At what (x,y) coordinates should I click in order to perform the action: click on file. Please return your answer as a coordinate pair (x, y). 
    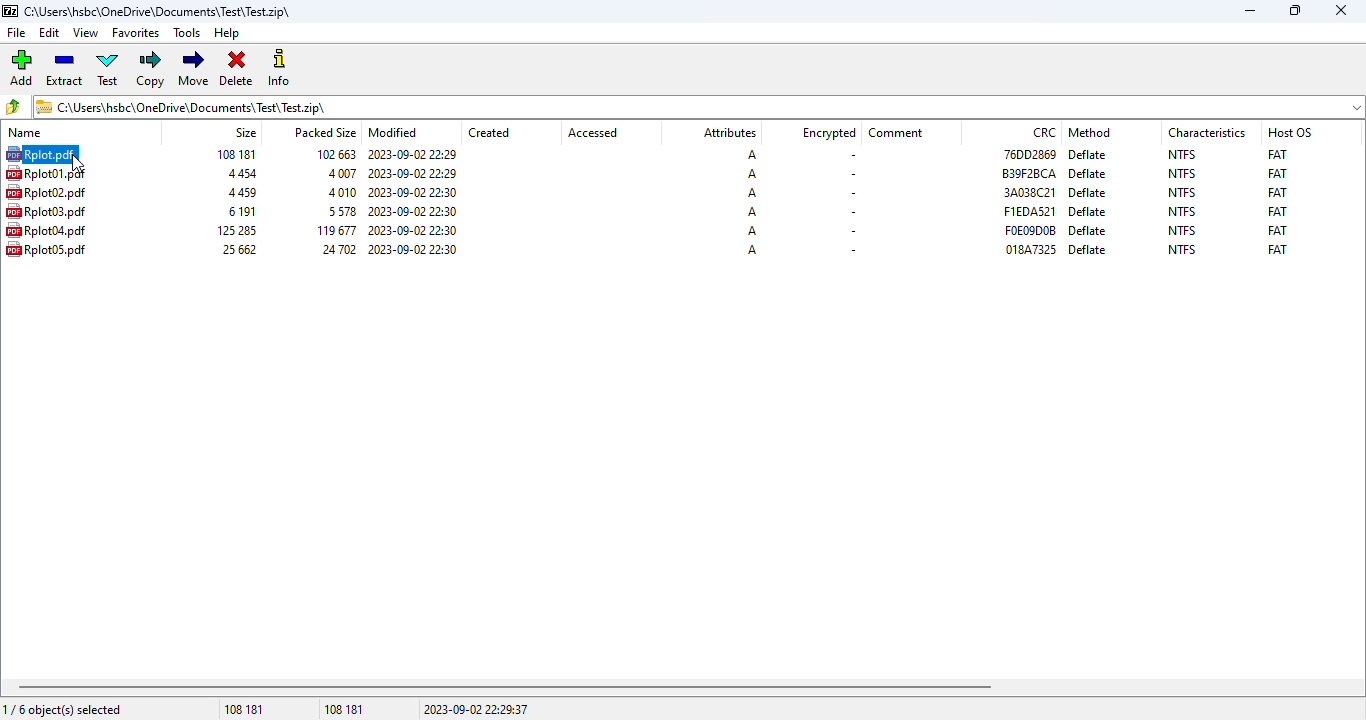
    Looking at the image, I should click on (46, 173).